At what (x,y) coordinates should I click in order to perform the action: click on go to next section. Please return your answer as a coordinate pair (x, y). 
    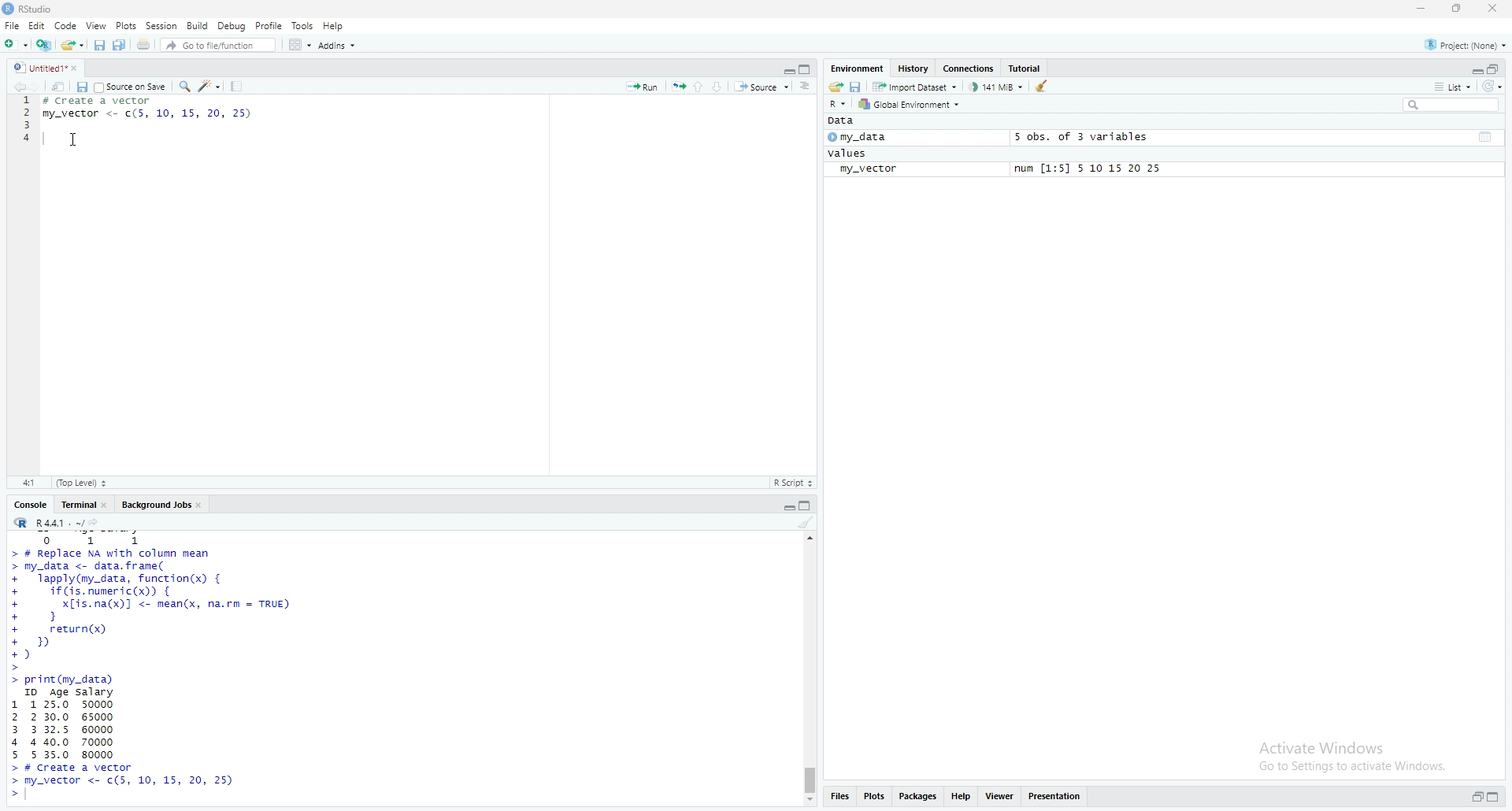
    Looking at the image, I should click on (721, 87).